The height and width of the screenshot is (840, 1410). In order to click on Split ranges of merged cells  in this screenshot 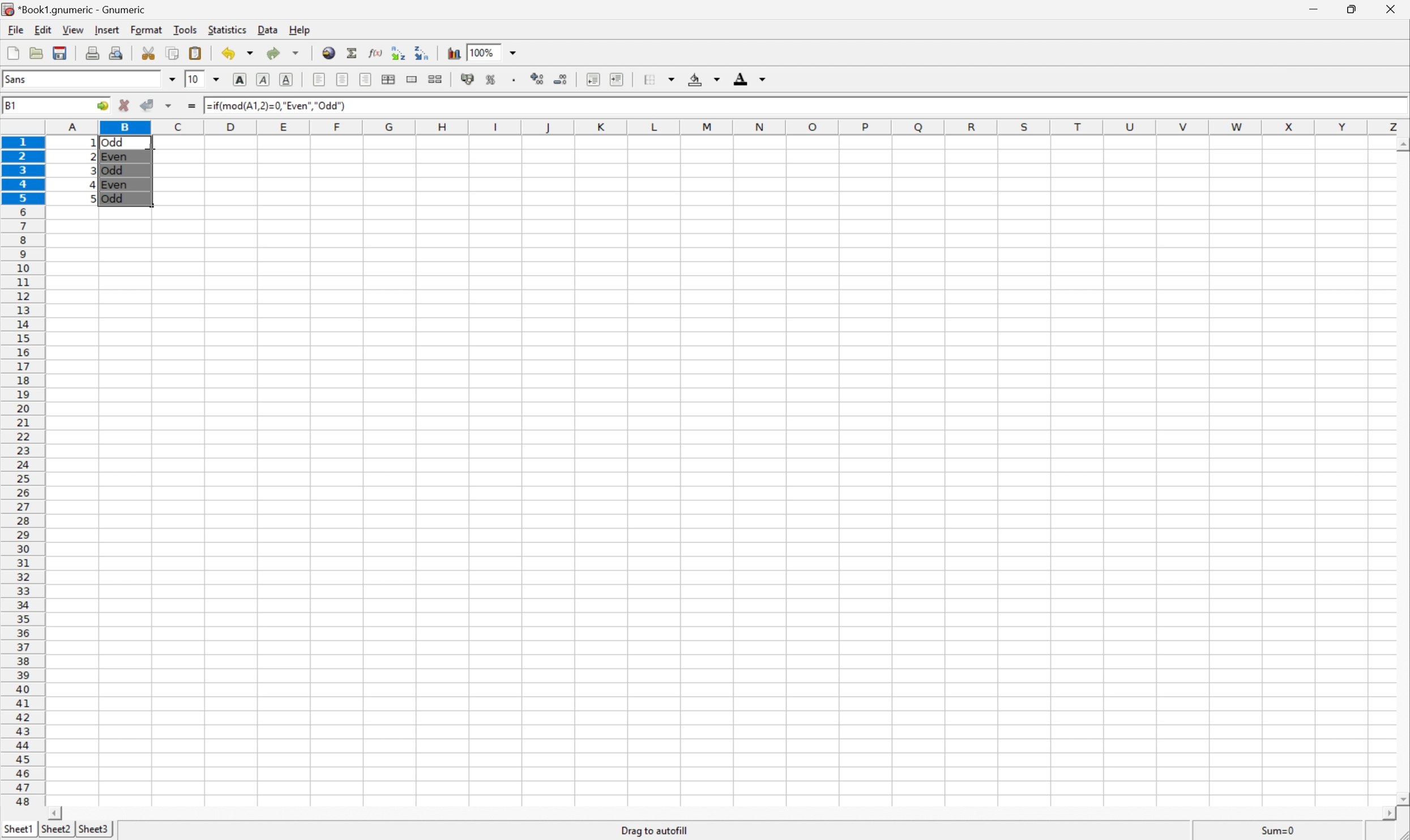, I will do `click(435, 79)`.